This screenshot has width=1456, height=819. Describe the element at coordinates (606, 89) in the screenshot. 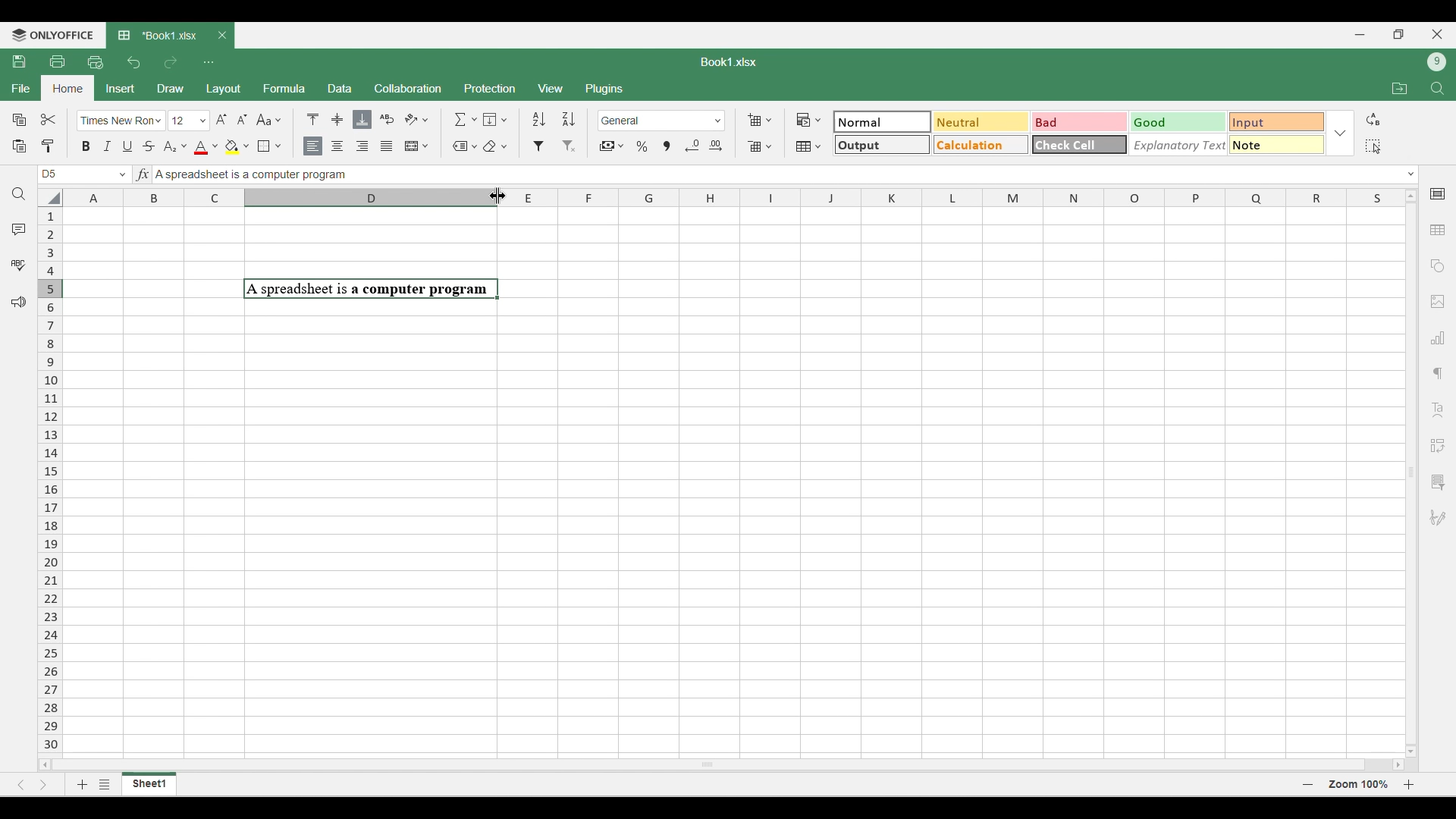

I see `Plugins menu` at that location.